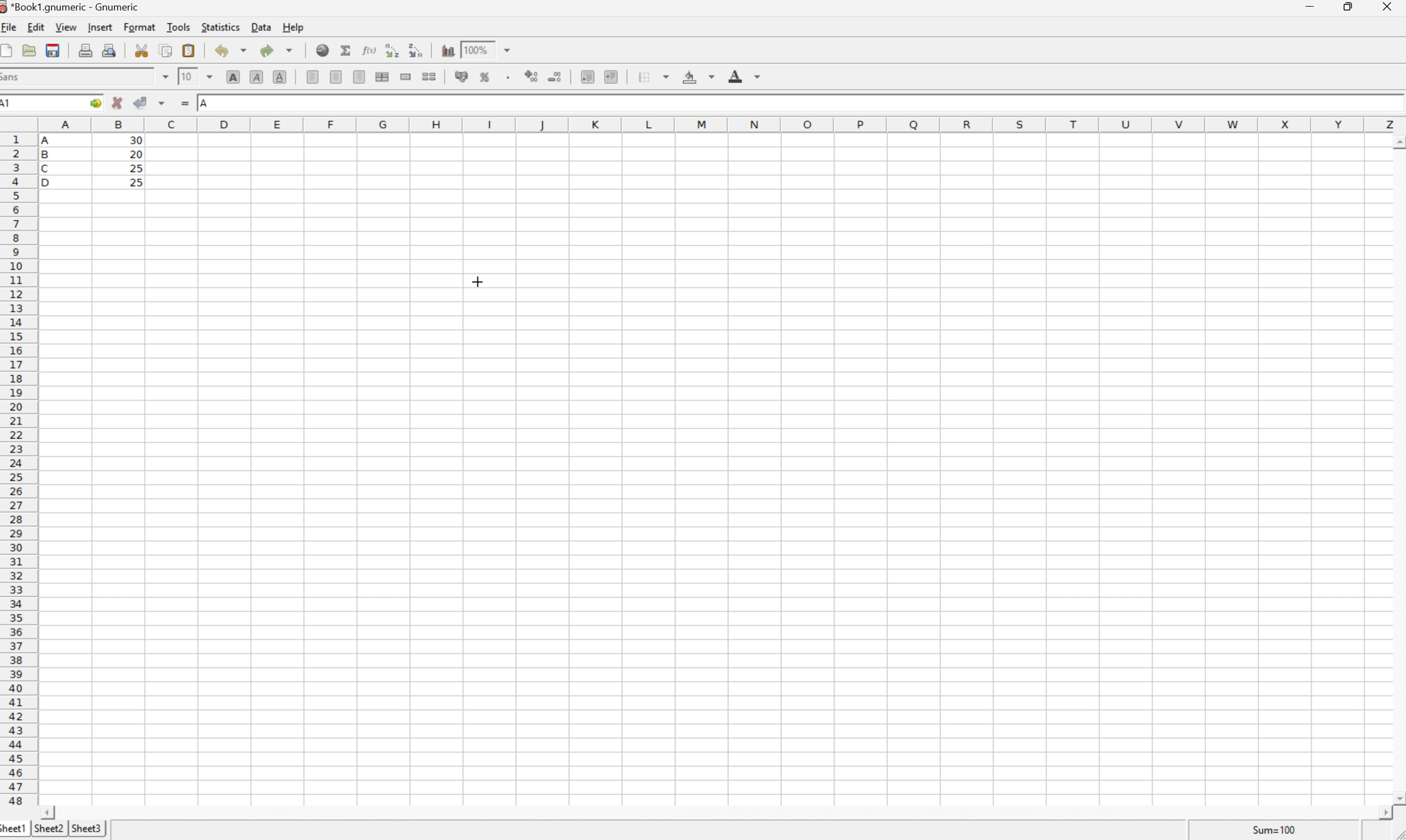 This screenshot has width=1406, height=840. What do you see at coordinates (36, 27) in the screenshot?
I see `Edit` at bounding box center [36, 27].